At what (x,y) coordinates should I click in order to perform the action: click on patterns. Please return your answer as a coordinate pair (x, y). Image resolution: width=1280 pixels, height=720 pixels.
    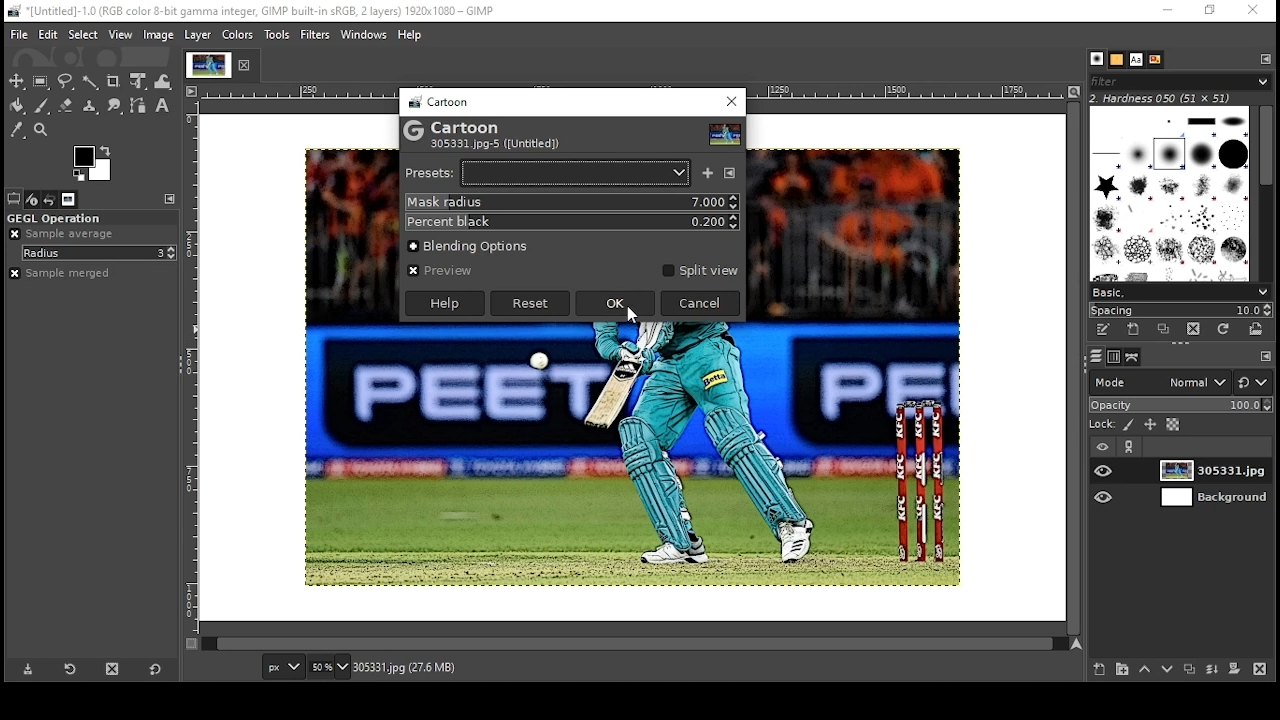
    Looking at the image, I should click on (1118, 60).